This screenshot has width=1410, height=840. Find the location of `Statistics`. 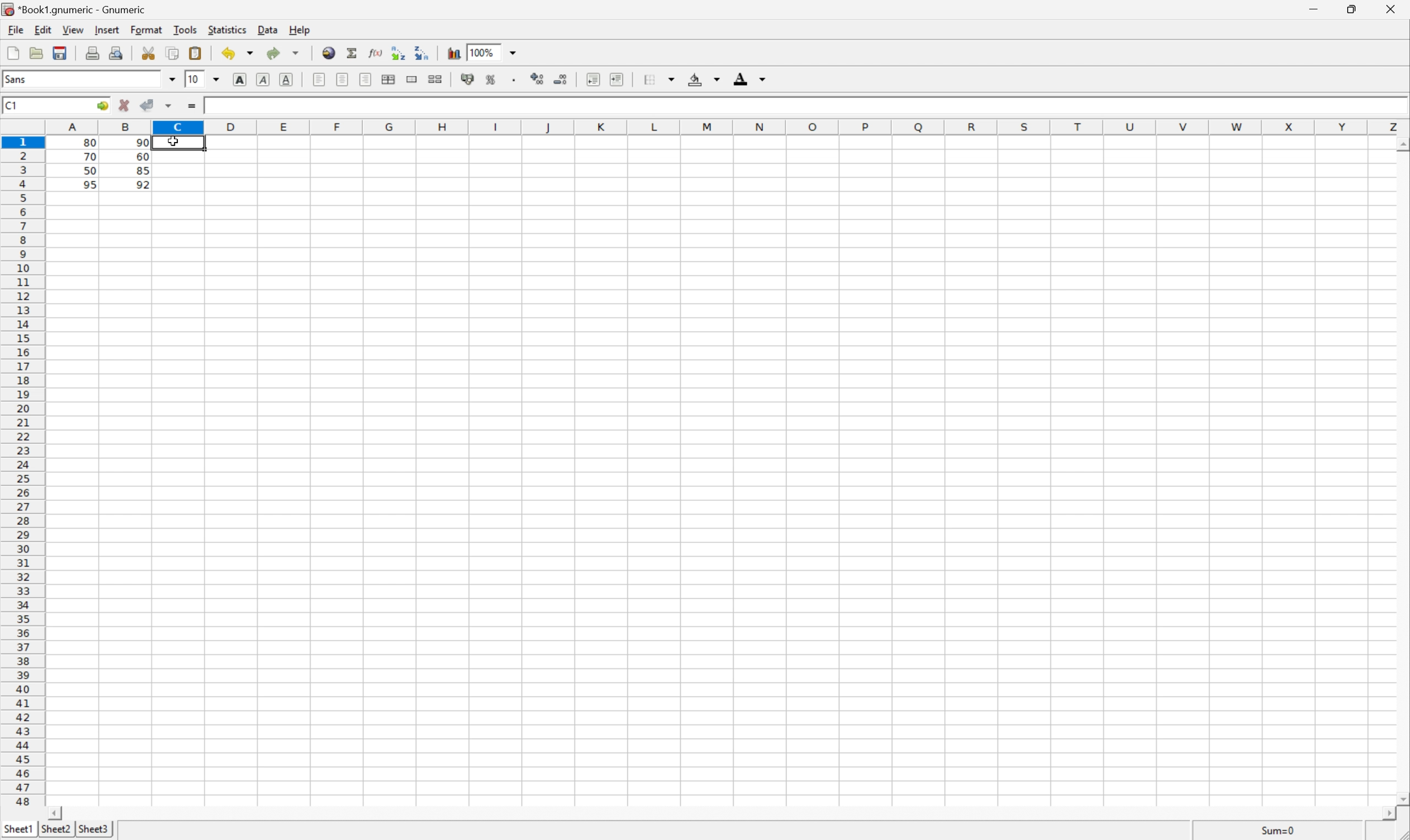

Statistics is located at coordinates (229, 31).